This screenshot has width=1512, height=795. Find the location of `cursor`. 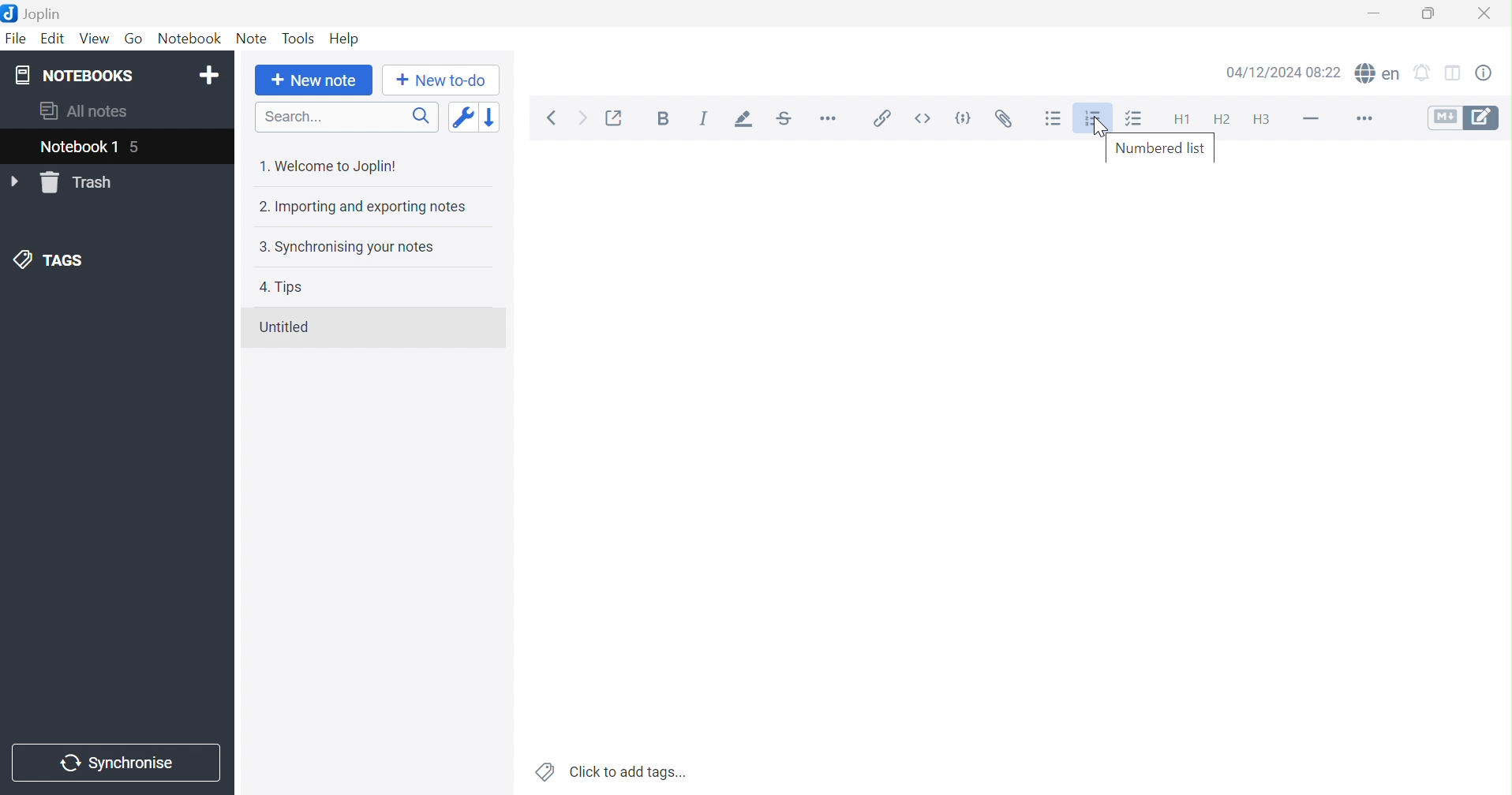

cursor is located at coordinates (1100, 128).